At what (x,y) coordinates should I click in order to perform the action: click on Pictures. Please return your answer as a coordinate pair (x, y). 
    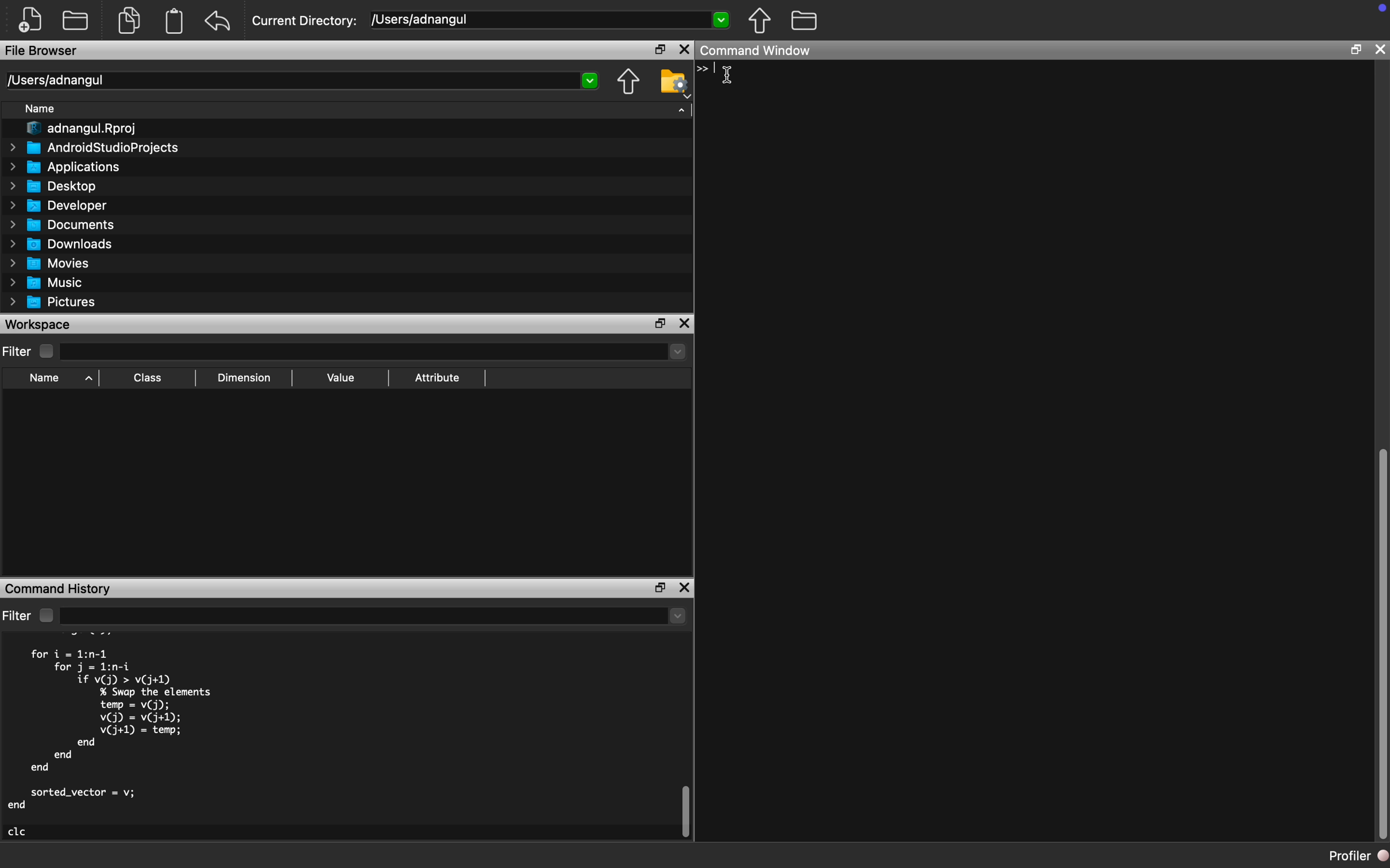
    Looking at the image, I should click on (53, 304).